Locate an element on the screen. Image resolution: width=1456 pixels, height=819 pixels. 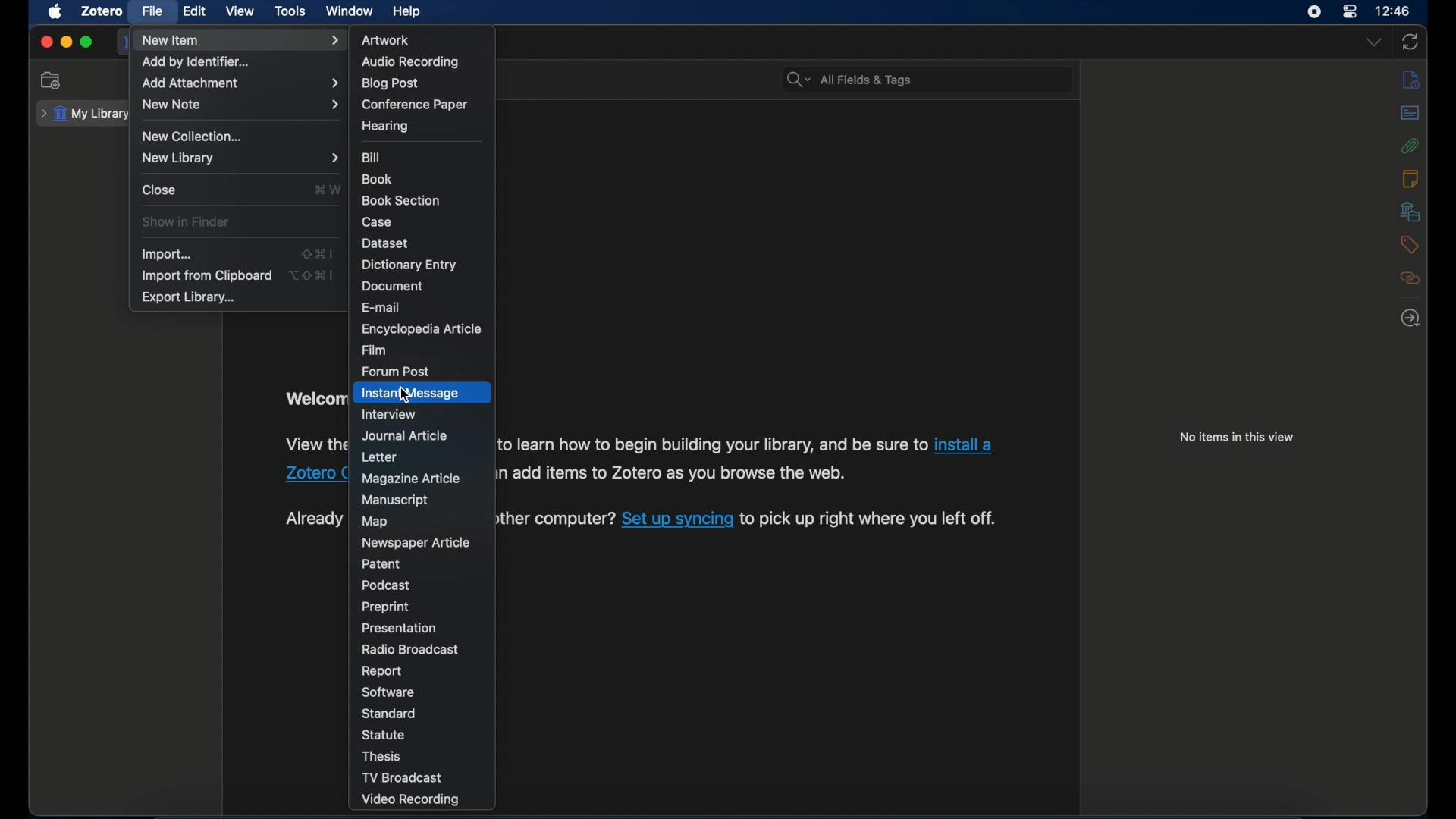
encyclopedia article is located at coordinates (420, 329).